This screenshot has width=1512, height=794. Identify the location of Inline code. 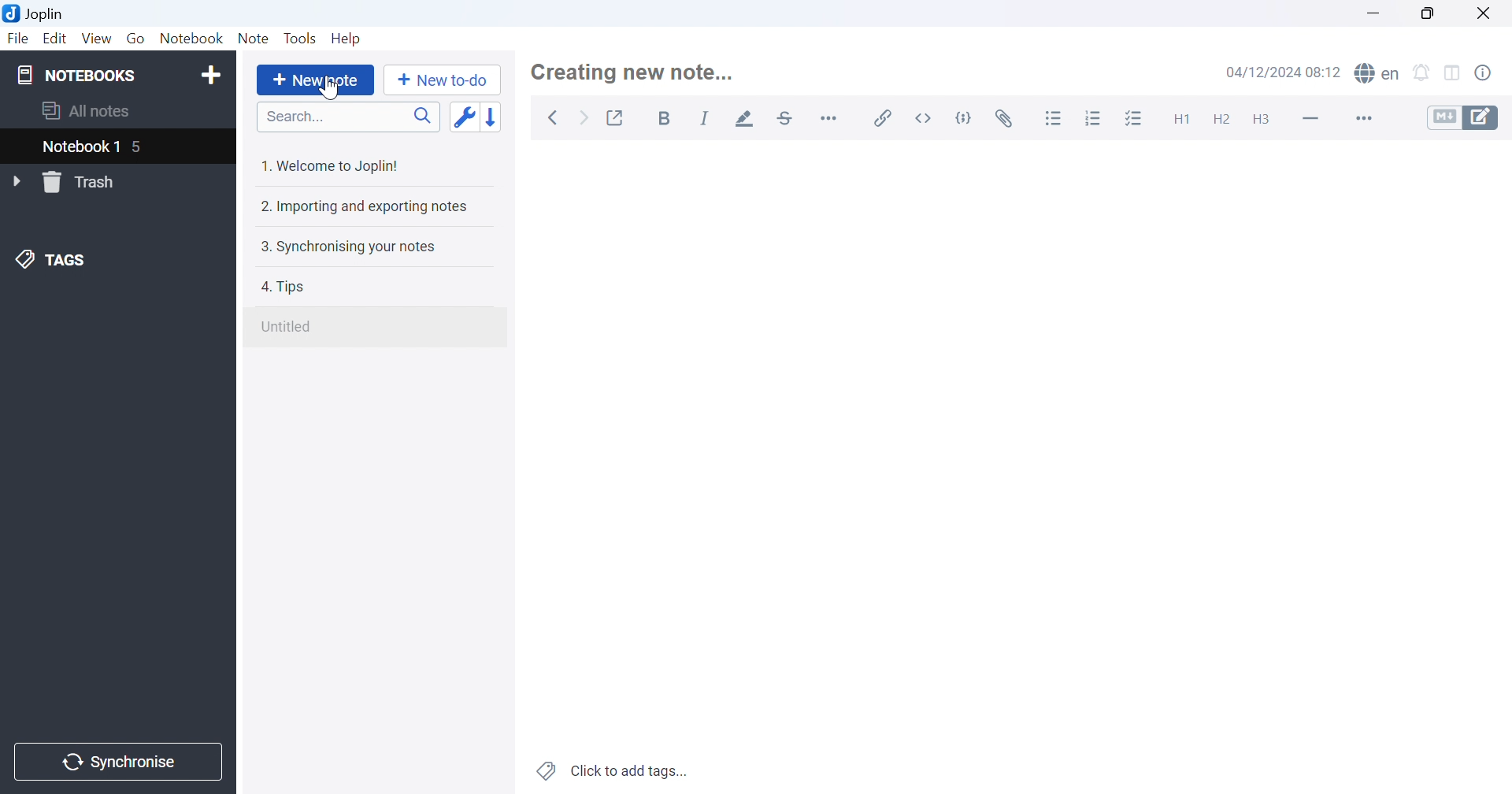
(925, 118).